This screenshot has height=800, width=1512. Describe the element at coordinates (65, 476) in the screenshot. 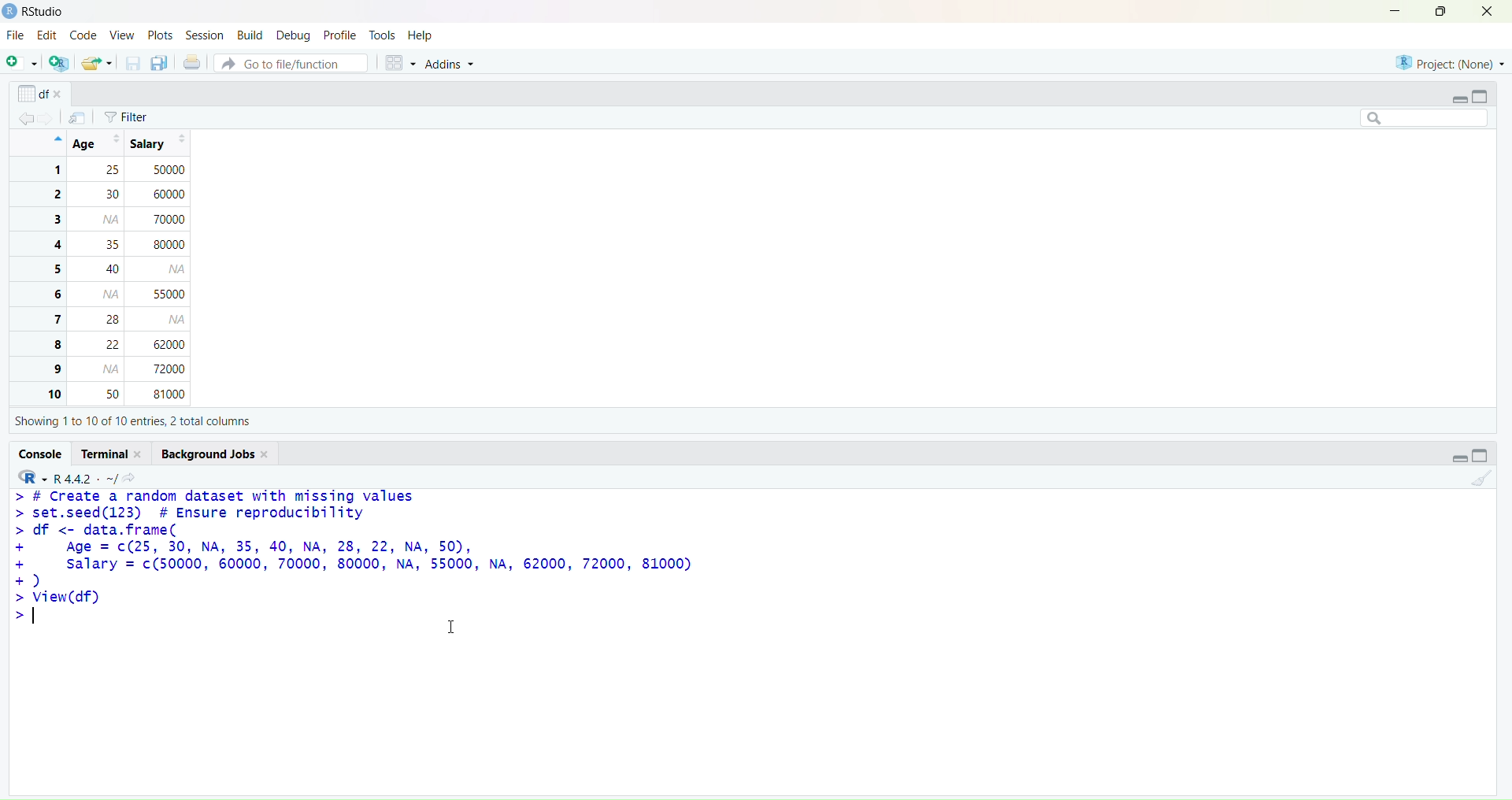

I see `R 4.4.2` at that location.